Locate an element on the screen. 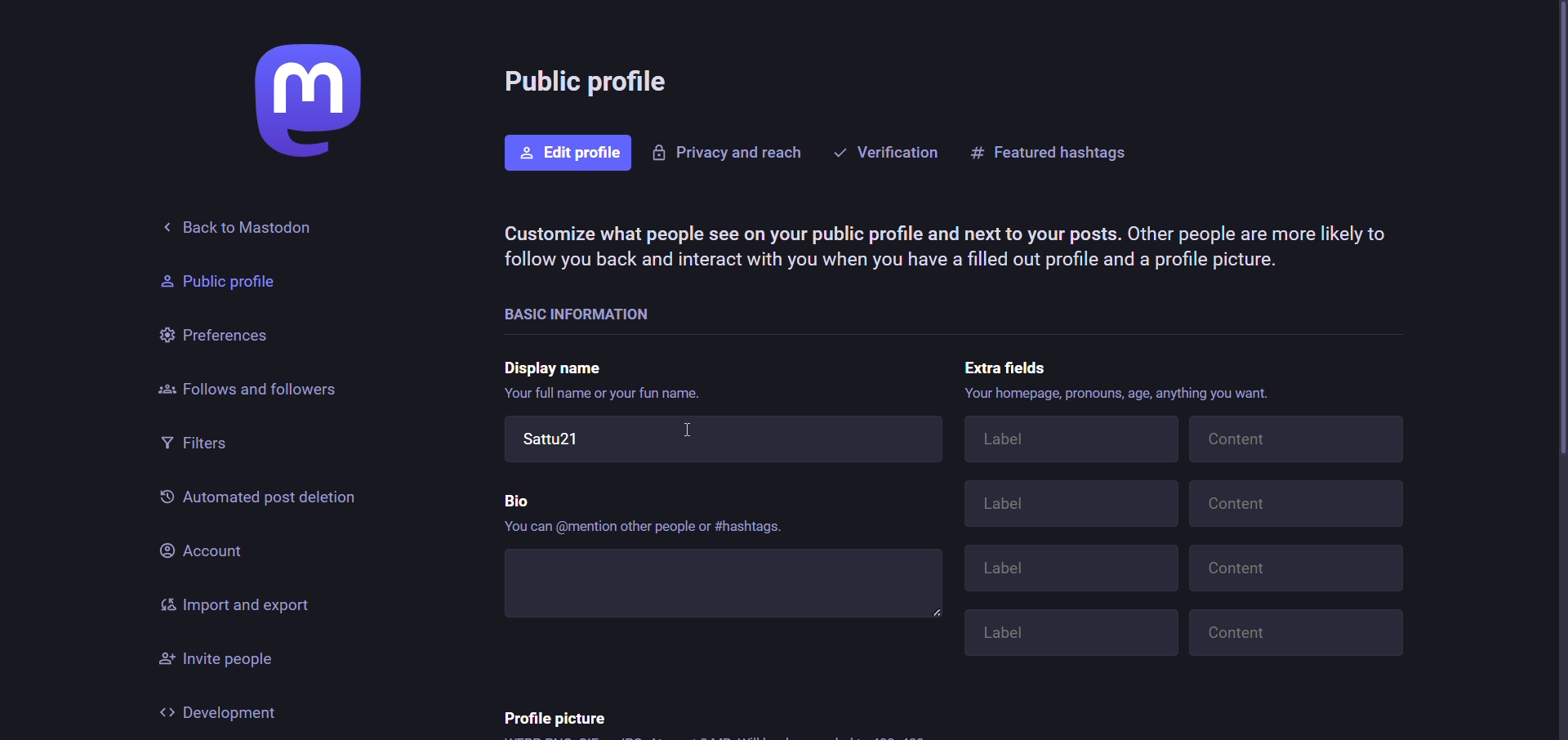 This screenshot has height=740, width=1568. Label is located at coordinates (1076, 570).